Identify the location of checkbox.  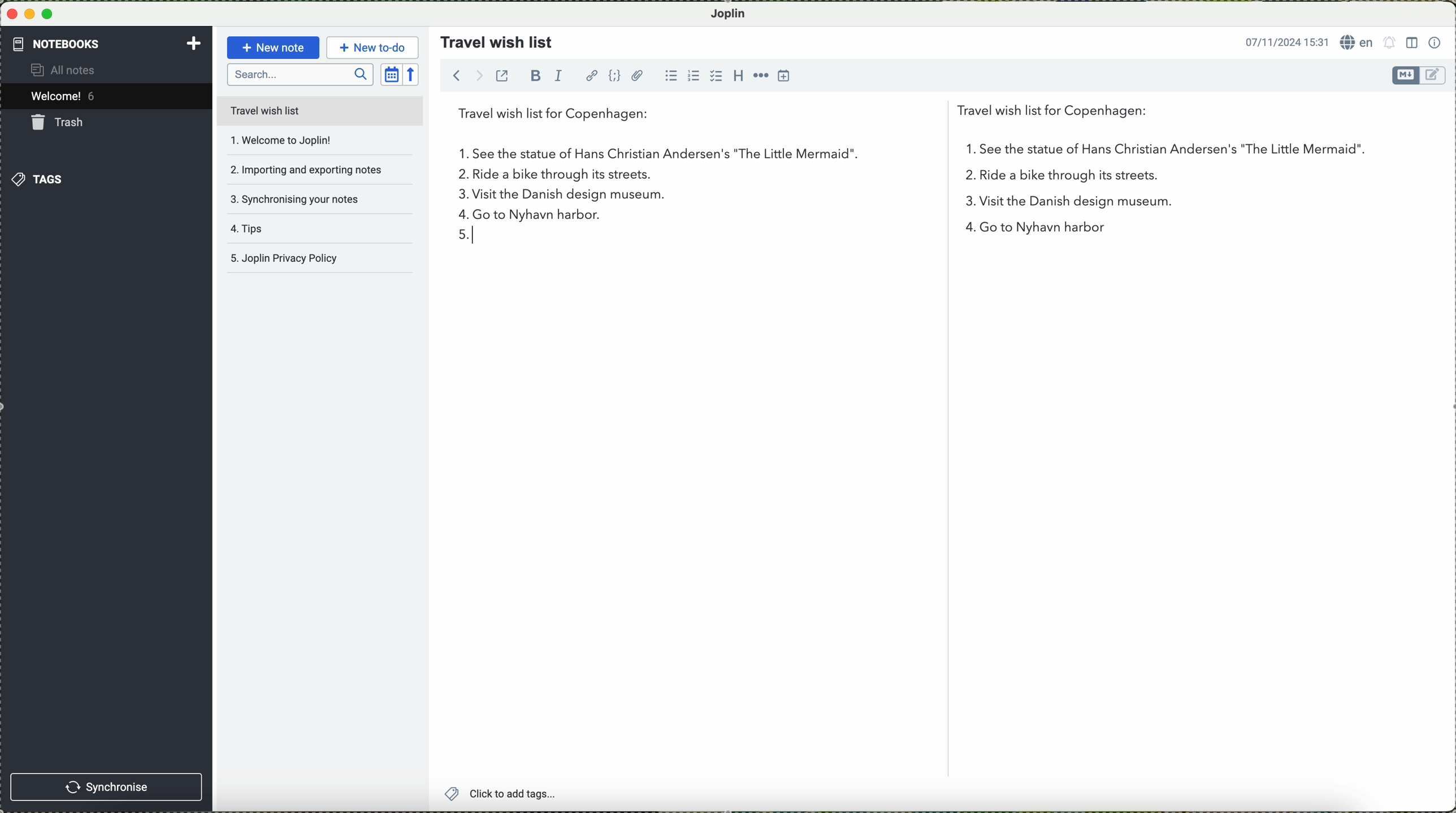
(714, 76).